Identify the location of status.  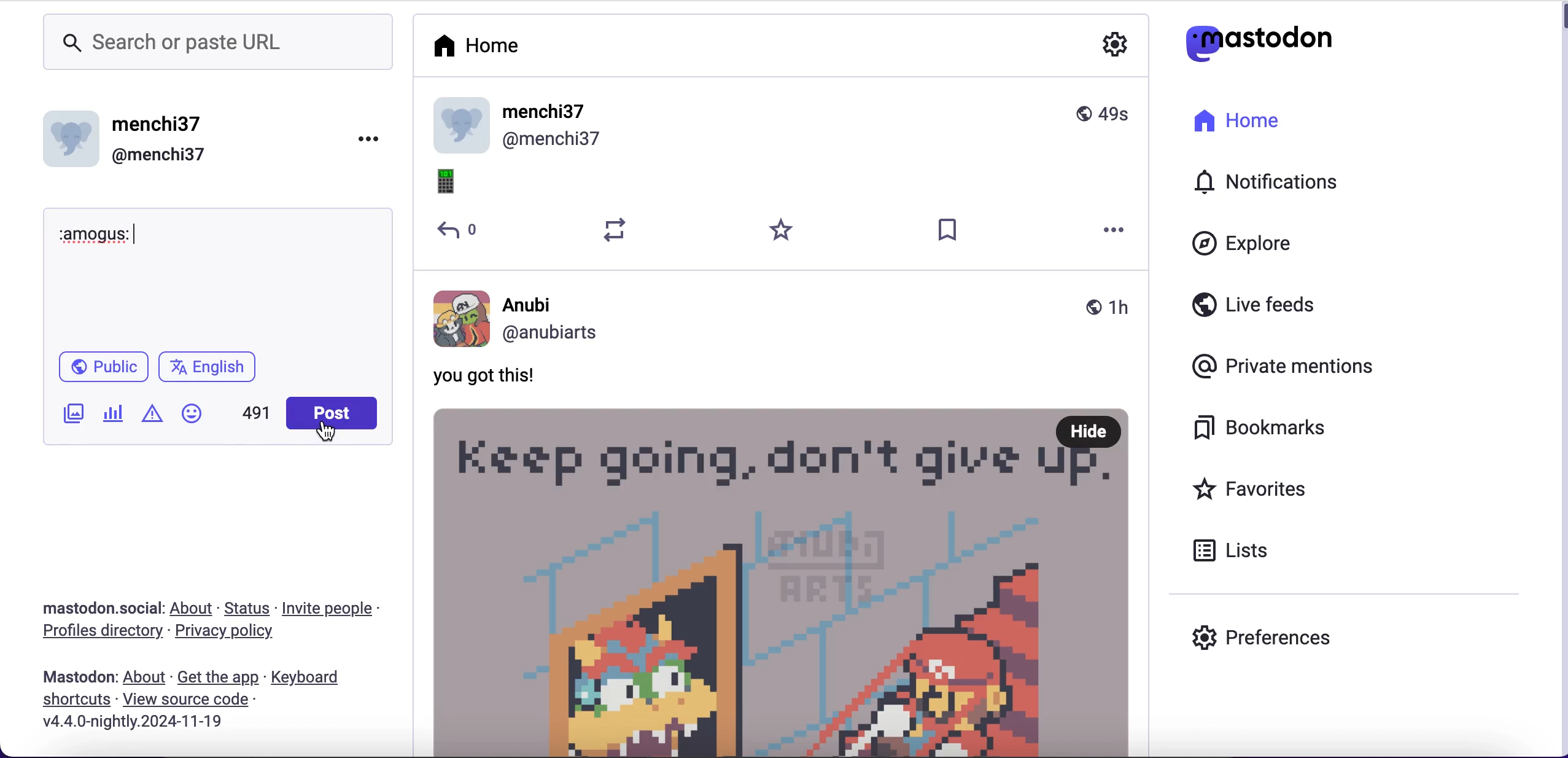
(247, 608).